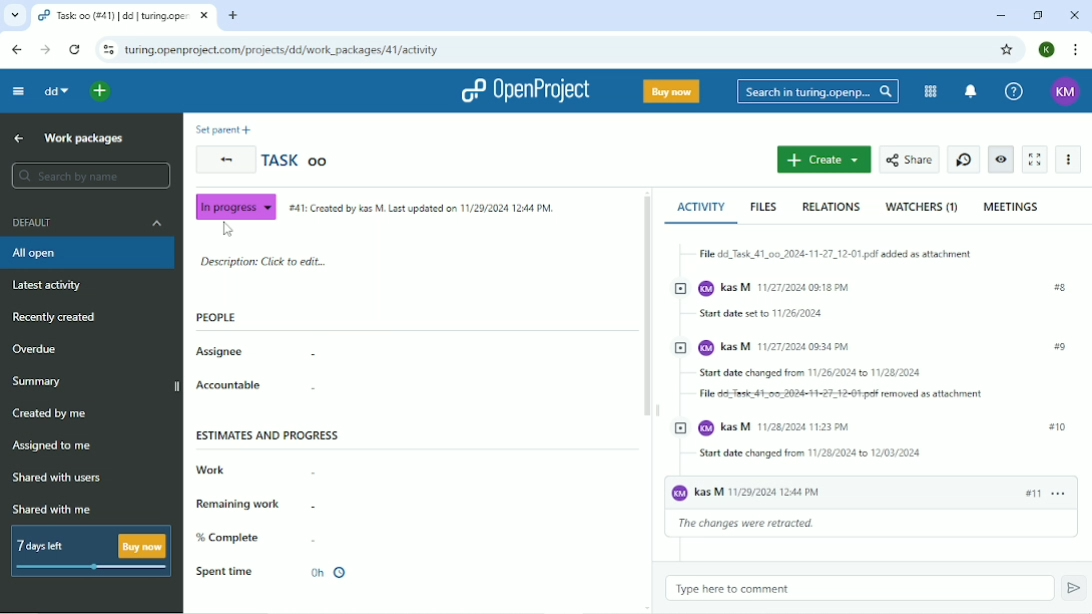 This screenshot has width=1092, height=614. Describe the element at coordinates (107, 47) in the screenshot. I see `View site information` at that location.